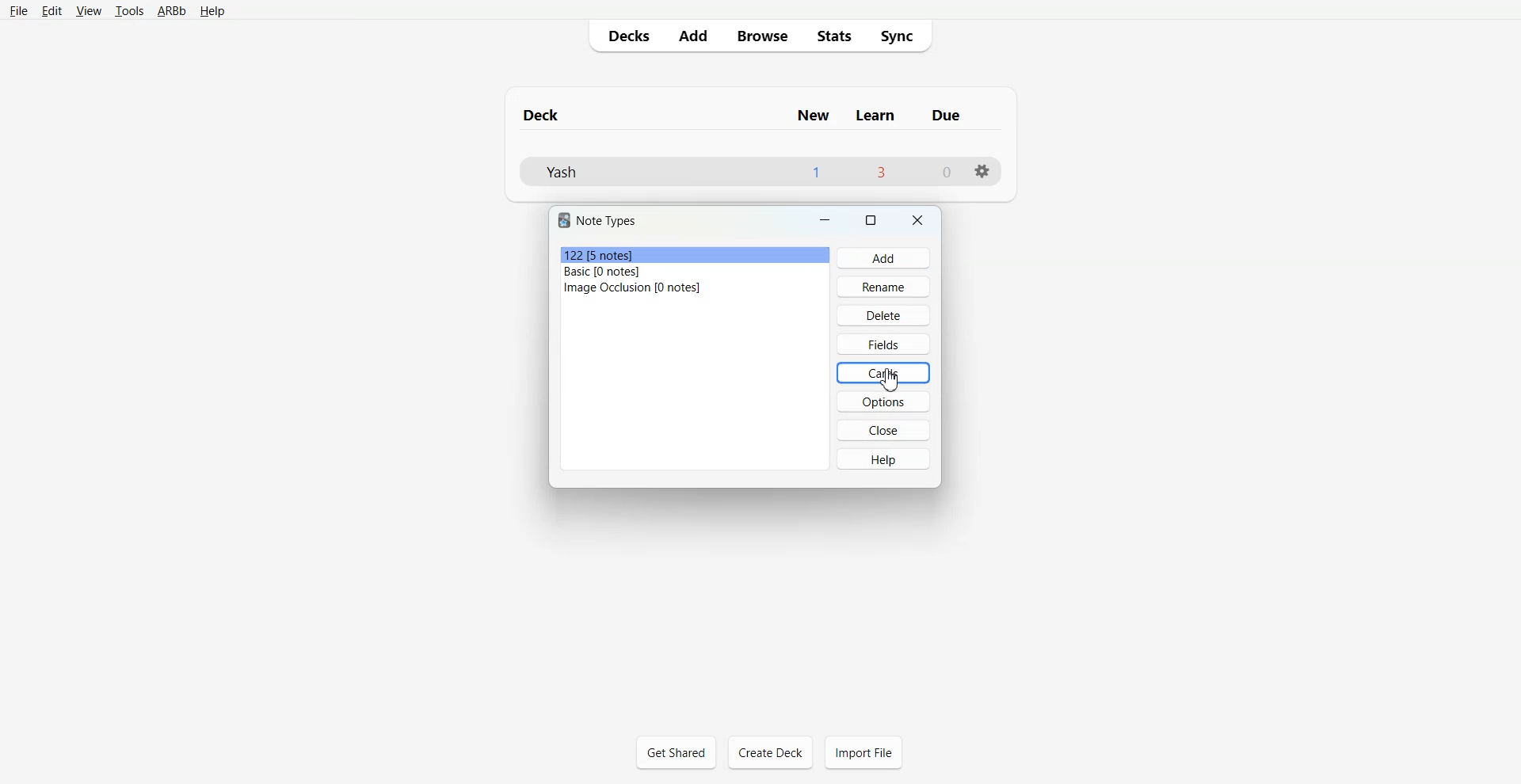  I want to click on Help, so click(212, 12).